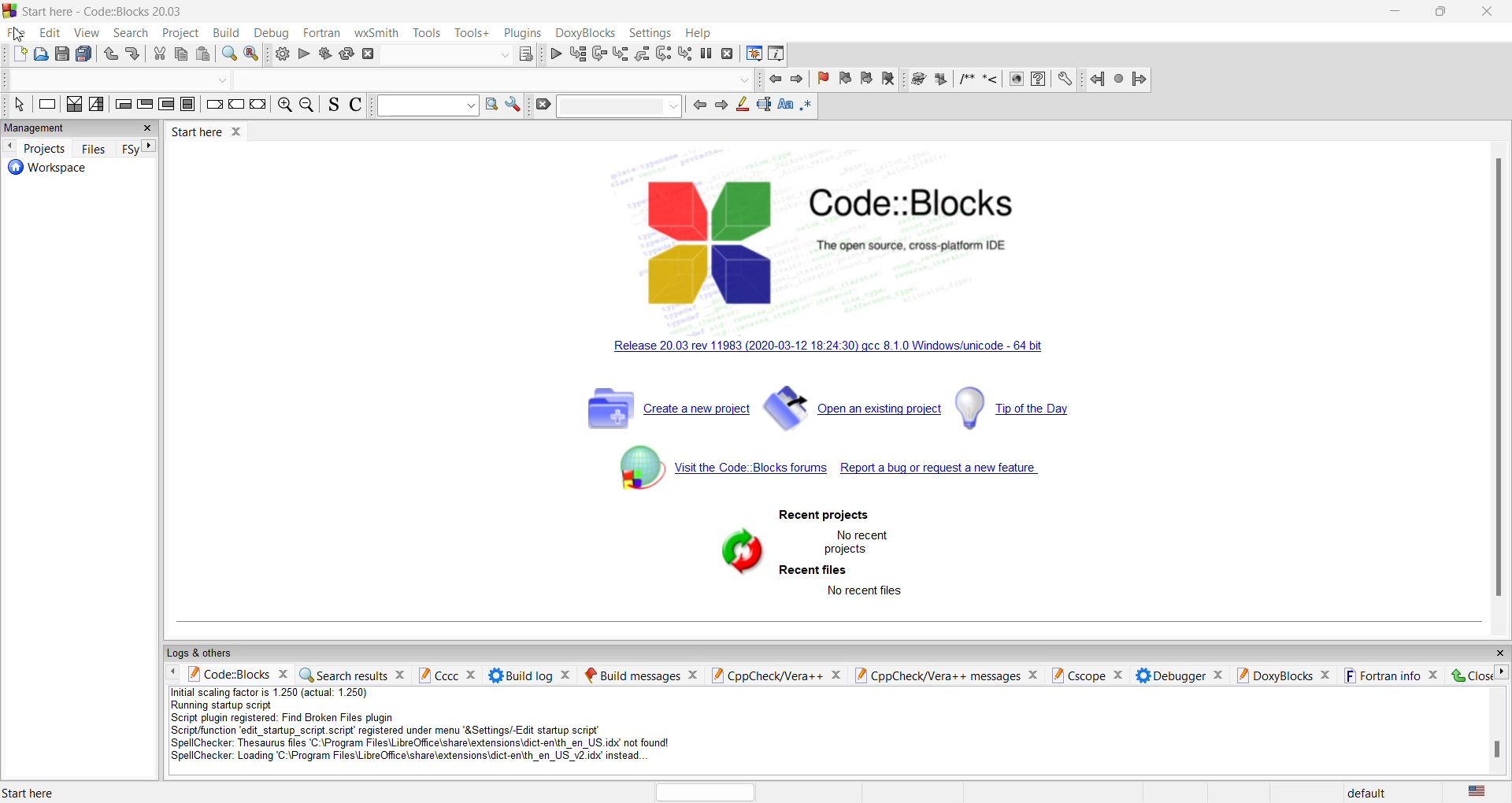 This screenshot has height=803, width=1512. I want to click on build, so click(225, 33).